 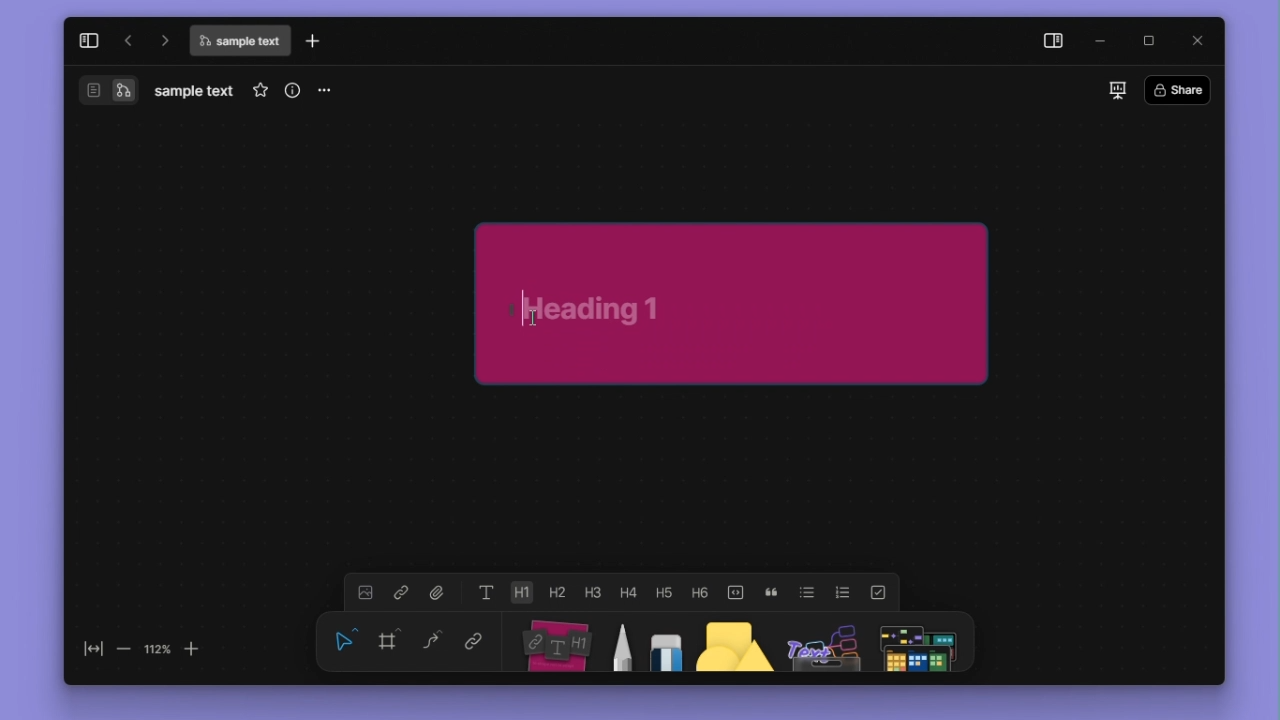 I want to click on slideshow, so click(x=1118, y=90).